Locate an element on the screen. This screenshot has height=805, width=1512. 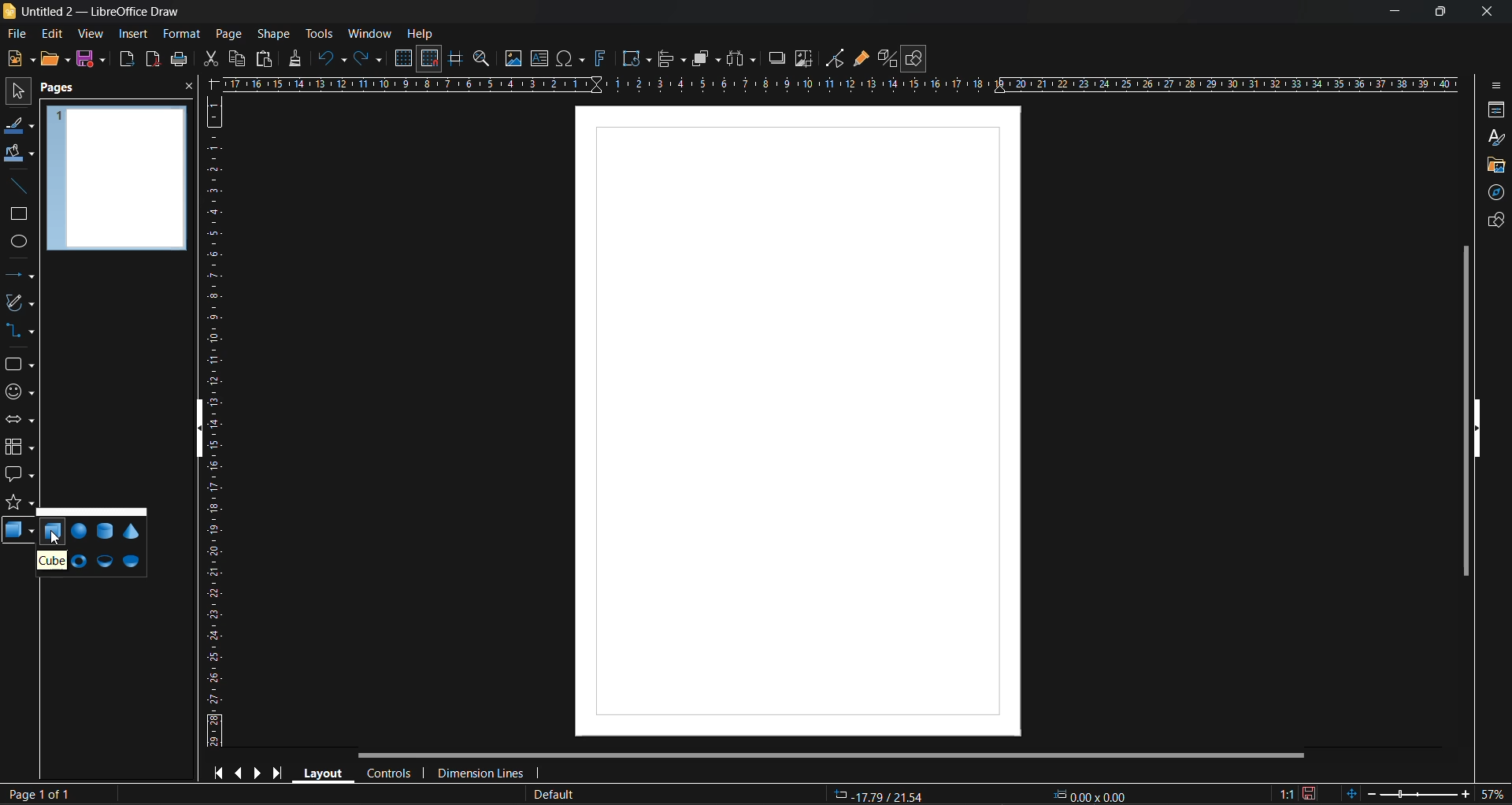
help is located at coordinates (421, 35).